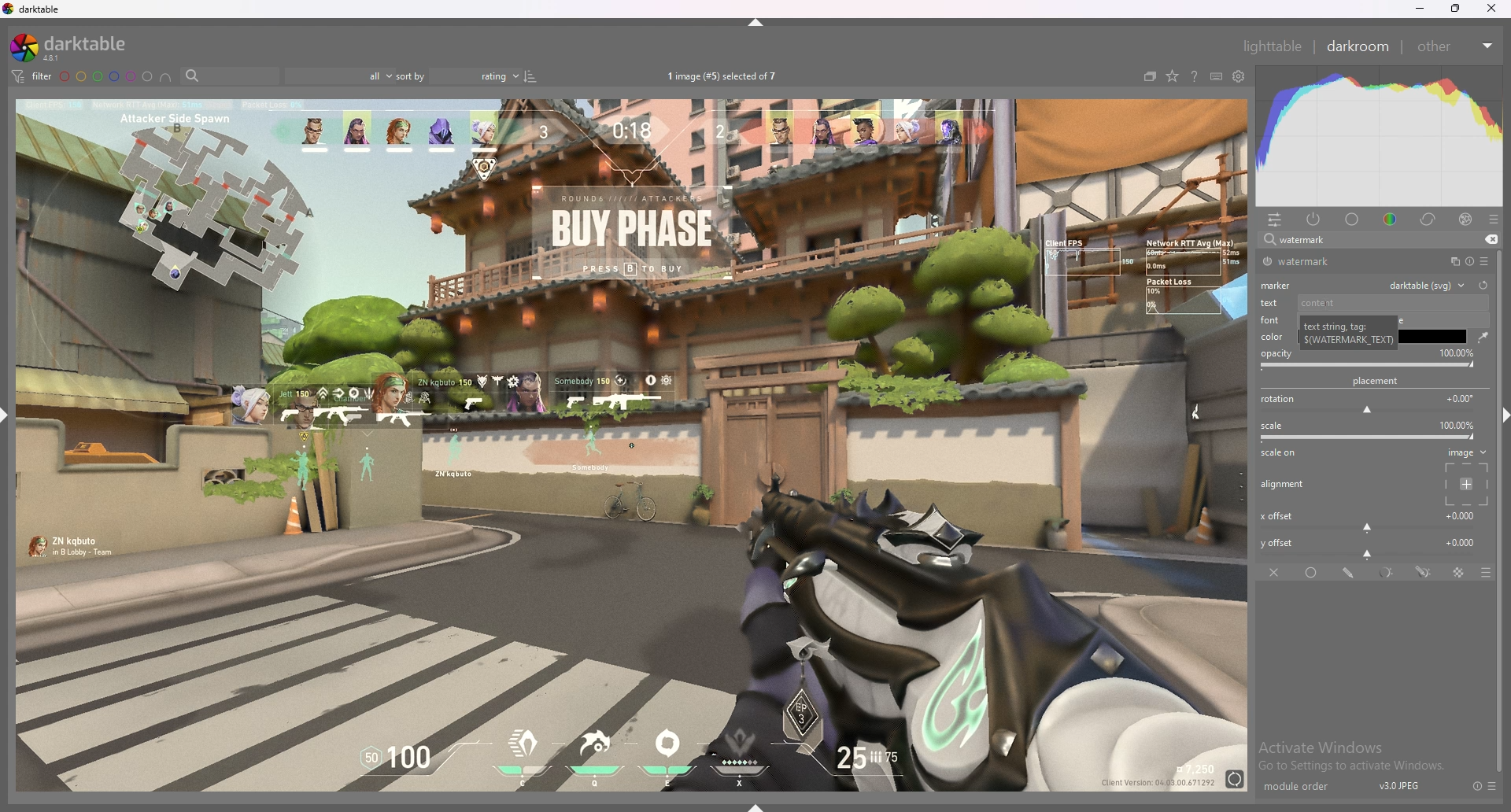 The image size is (1511, 812). I want to click on text, so click(1372, 303).